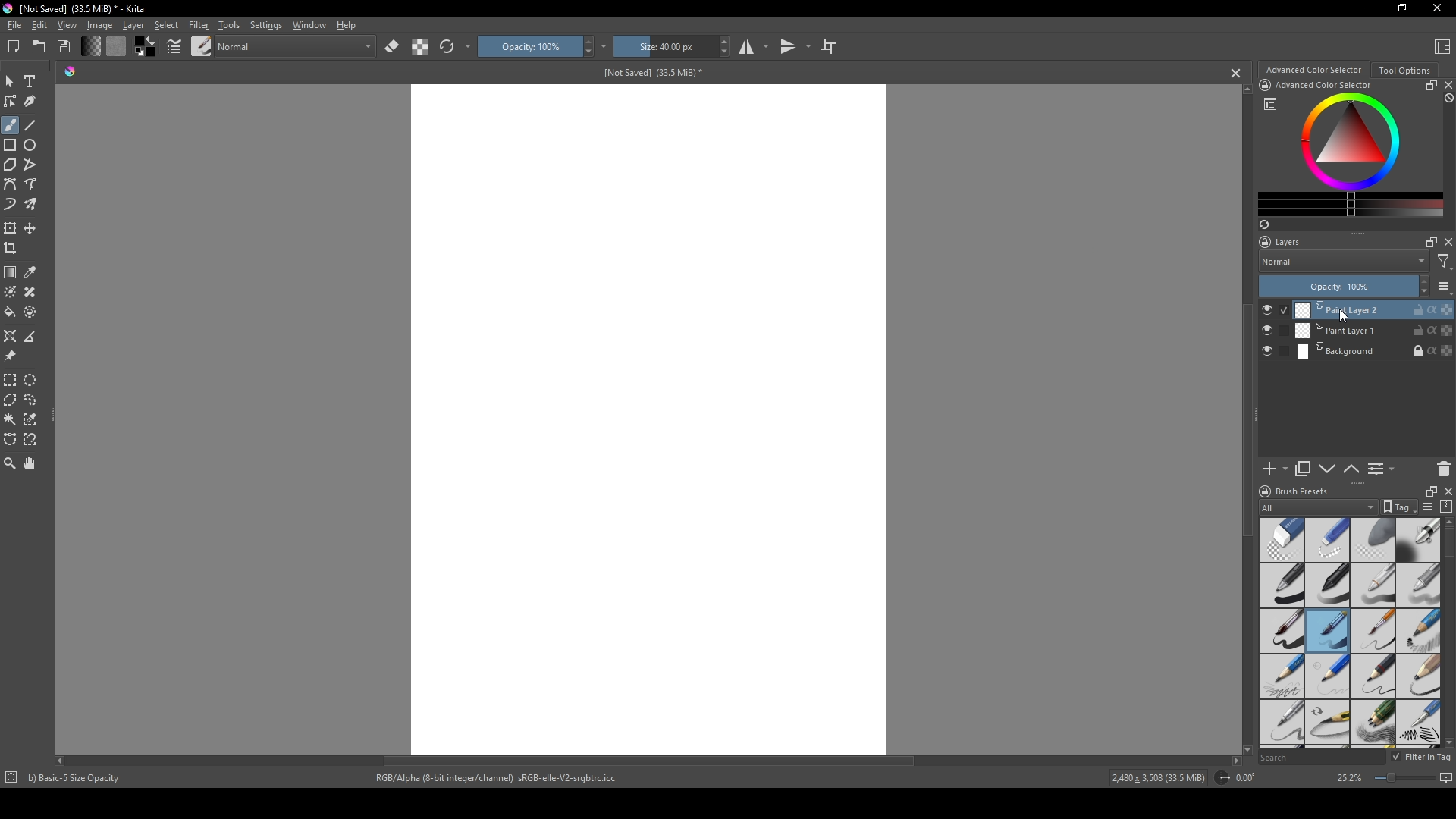 Image resolution: width=1456 pixels, height=819 pixels. I want to click on list, so click(1270, 104).